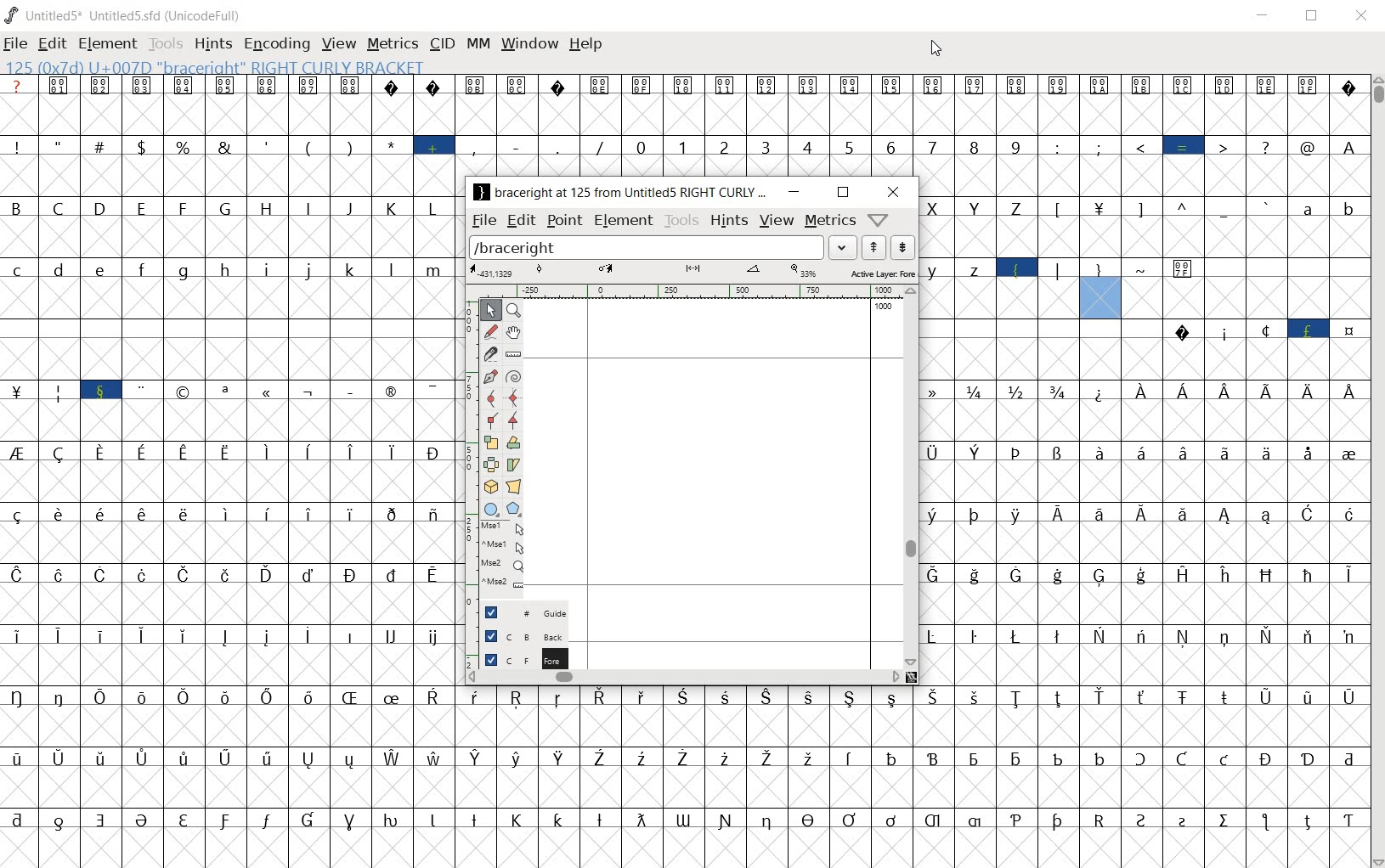 The height and width of the screenshot is (868, 1385). What do you see at coordinates (488, 508) in the screenshot?
I see `rectangle or ellipse` at bounding box center [488, 508].